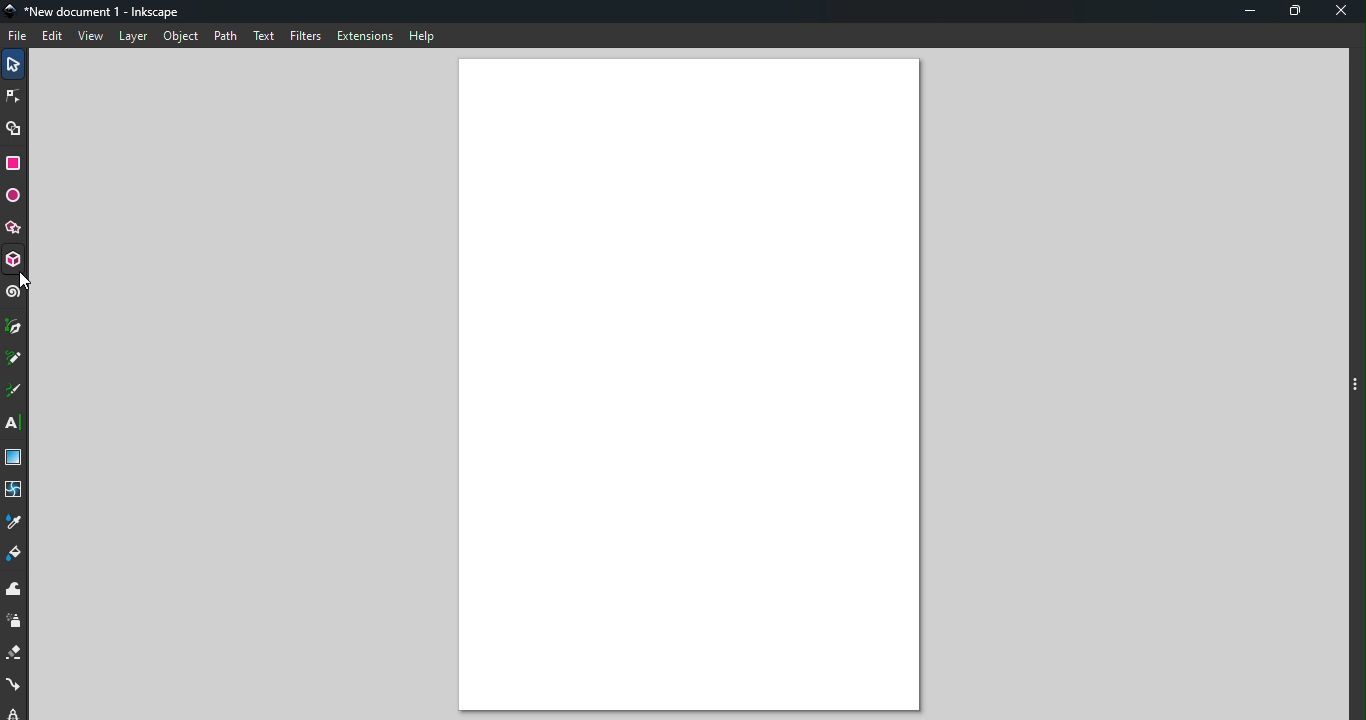  What do you see at coordinates (423, 36) in the screenshot?
I see `Help` at bounding box center [423, 36].